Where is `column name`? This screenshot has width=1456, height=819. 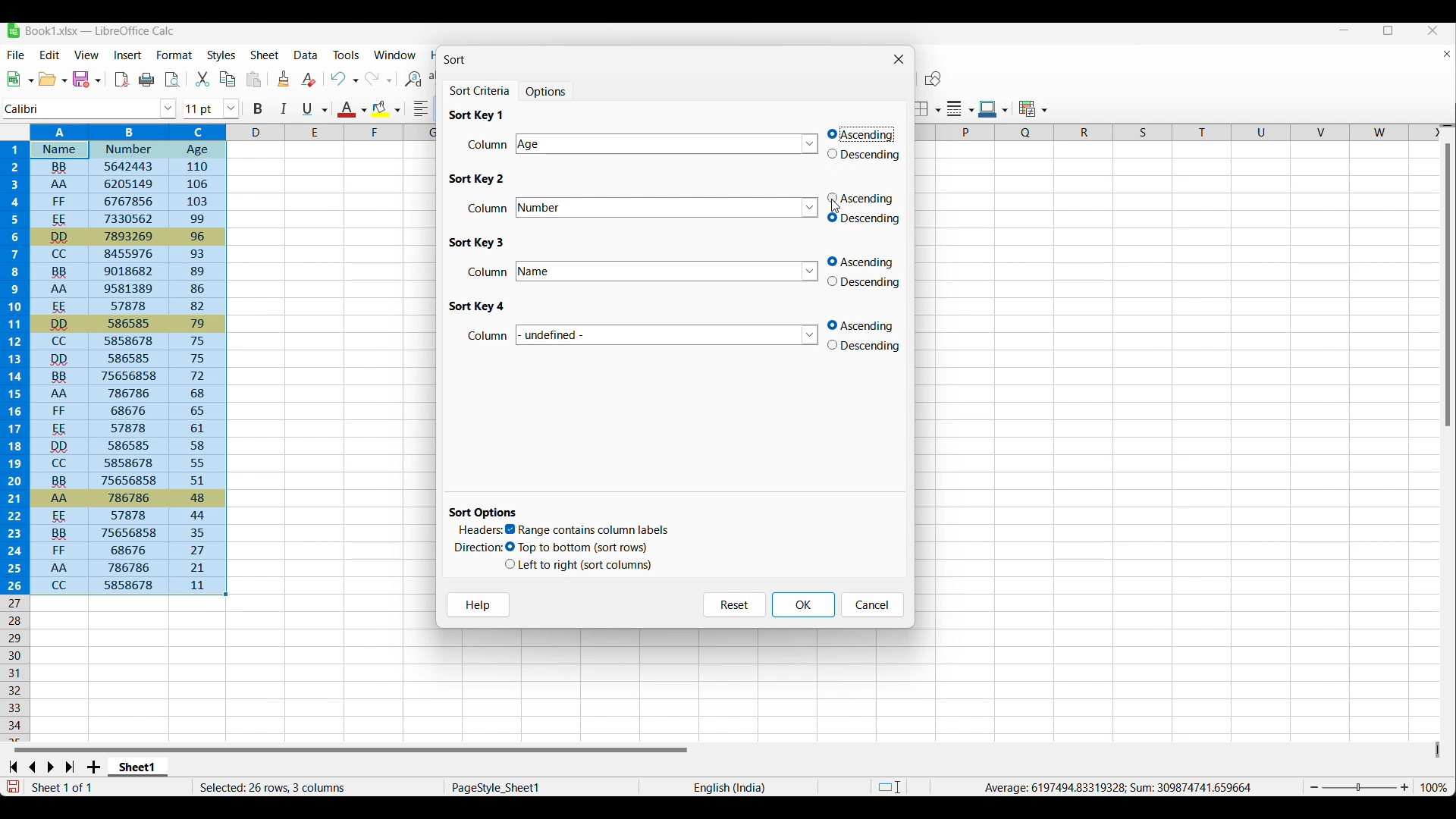
column name is located at coordinates (672, 270).